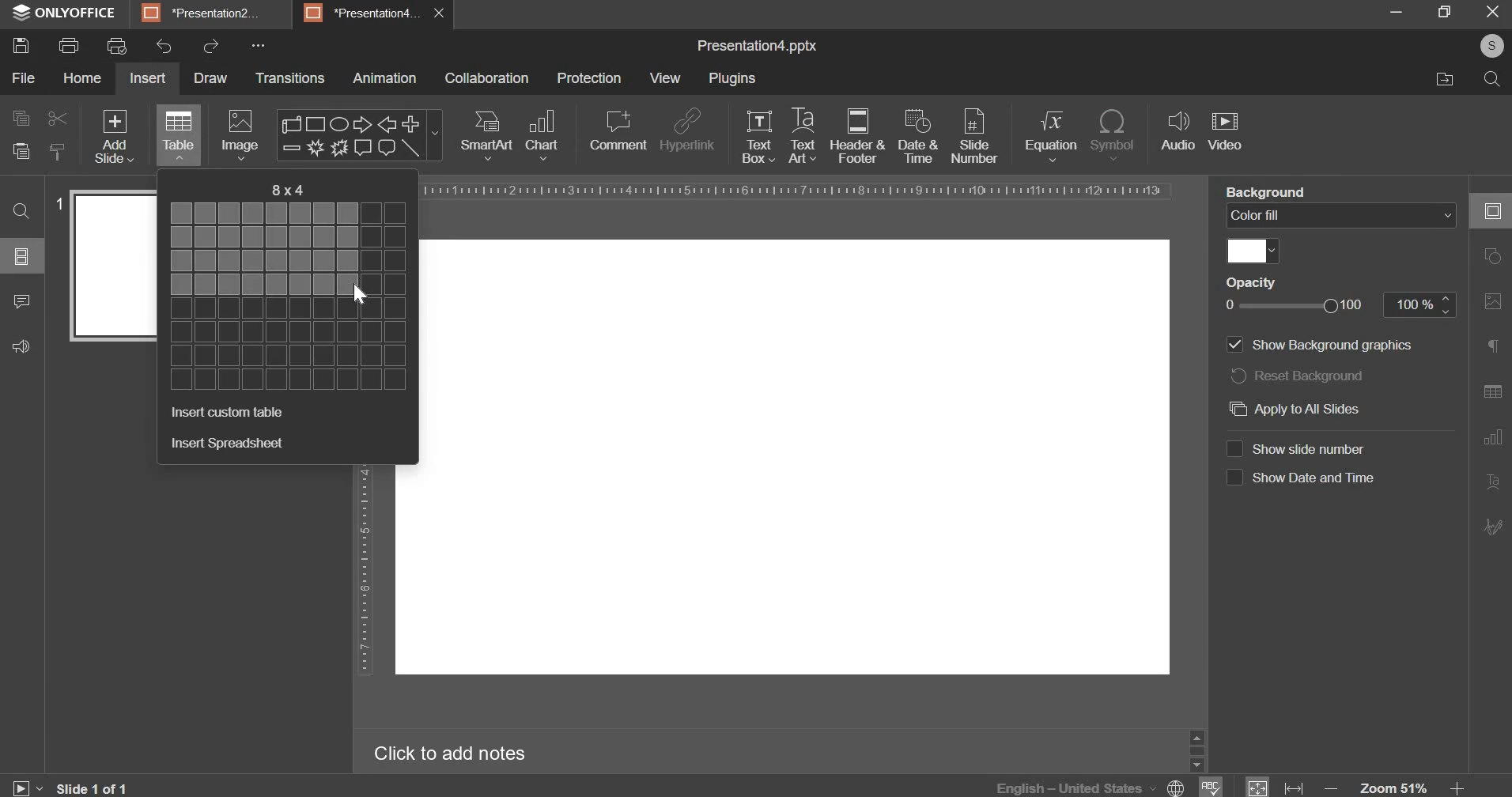 The width and height of the screenshot is (1512, 797). What do you see at coordinates (1295, 786) in the screenshot?
I see `fit to width` at bounding box center [1295, 786].